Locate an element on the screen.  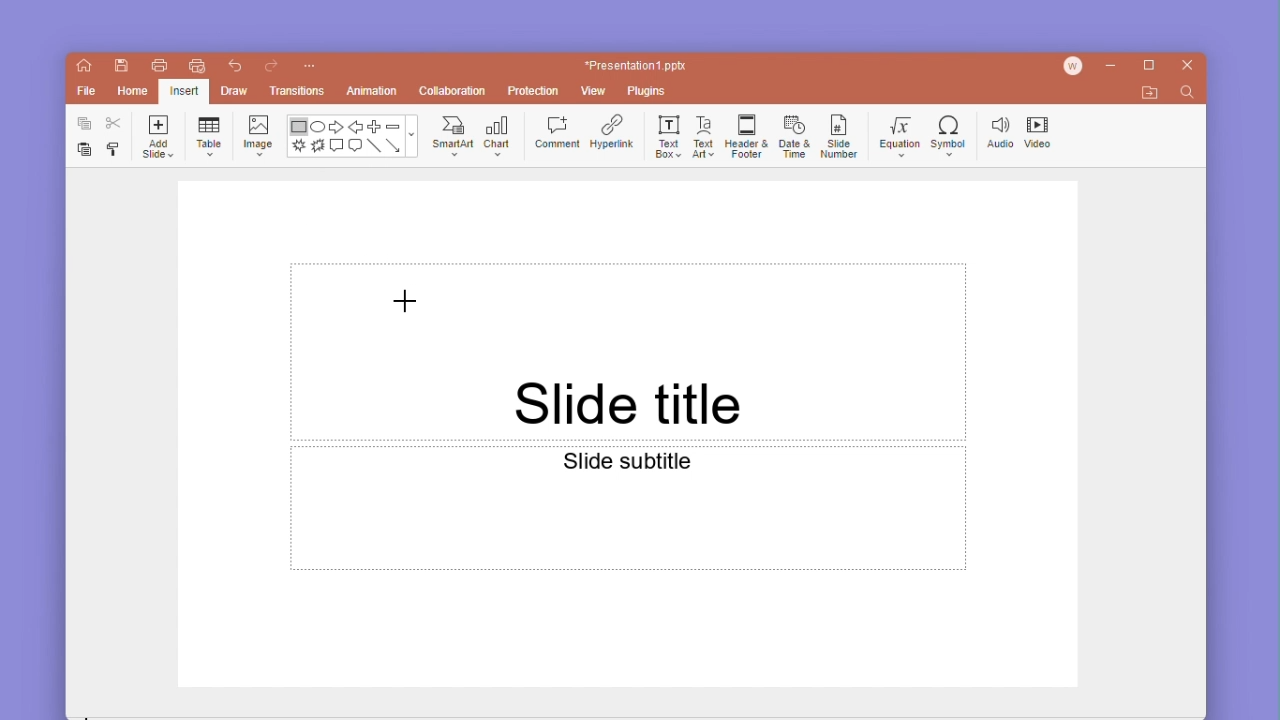
forward arrow is located at coordinates (336, 125).